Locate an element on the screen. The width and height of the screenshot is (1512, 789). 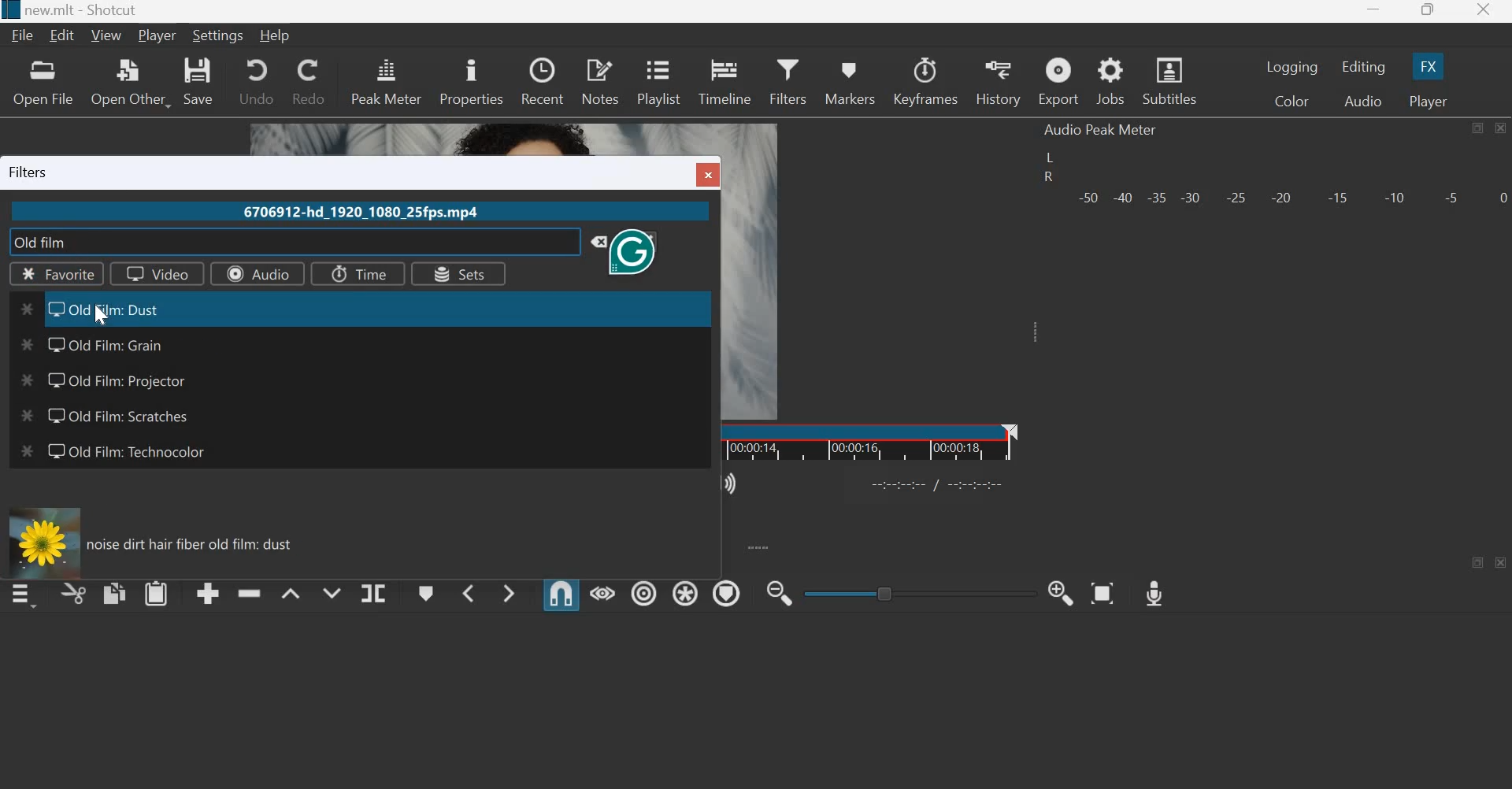
Previous Marker is located at coordinates (468, 592).